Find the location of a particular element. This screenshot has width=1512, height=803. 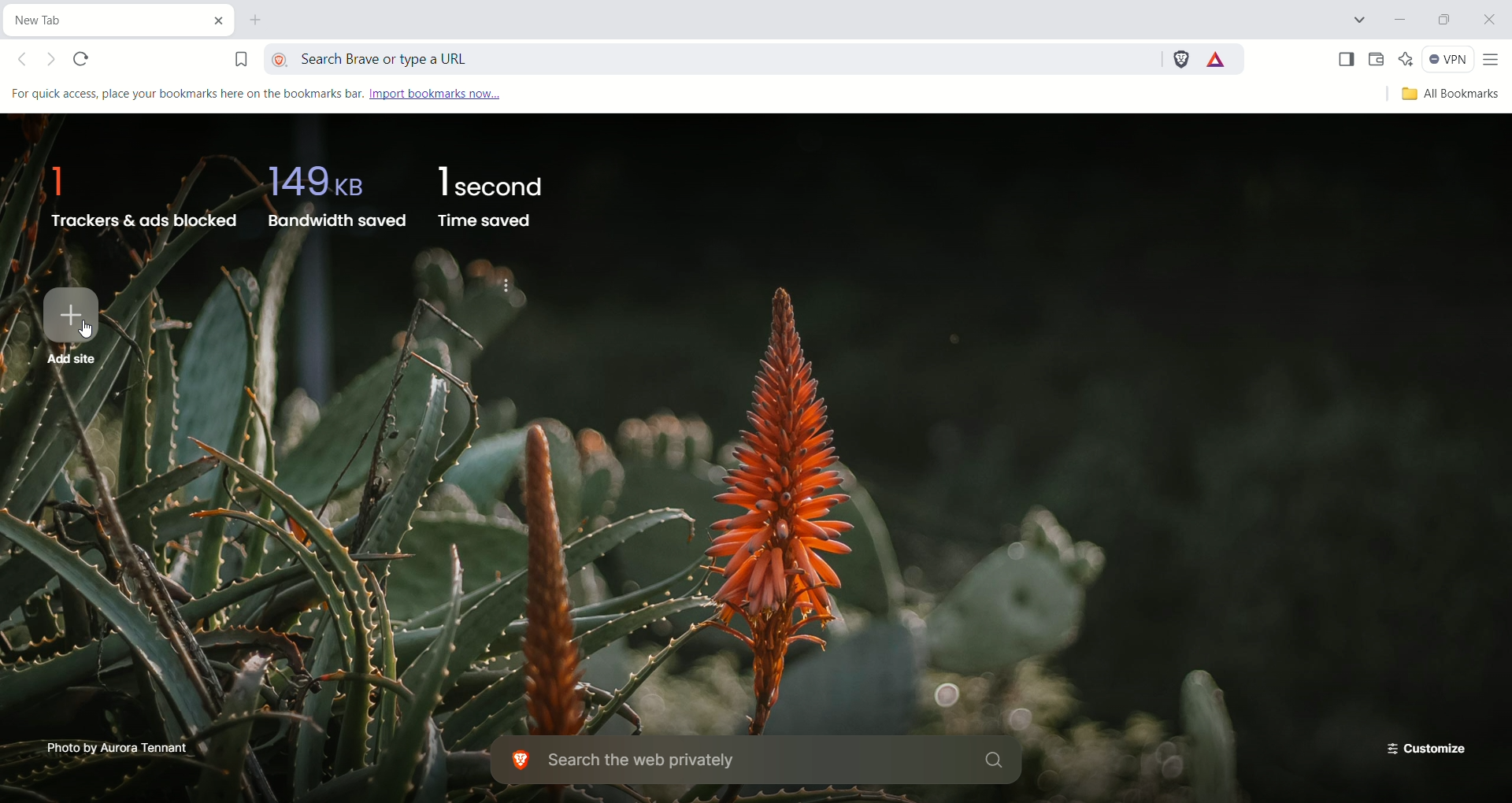

import bookmarks now is located at coordinates (451, 93).